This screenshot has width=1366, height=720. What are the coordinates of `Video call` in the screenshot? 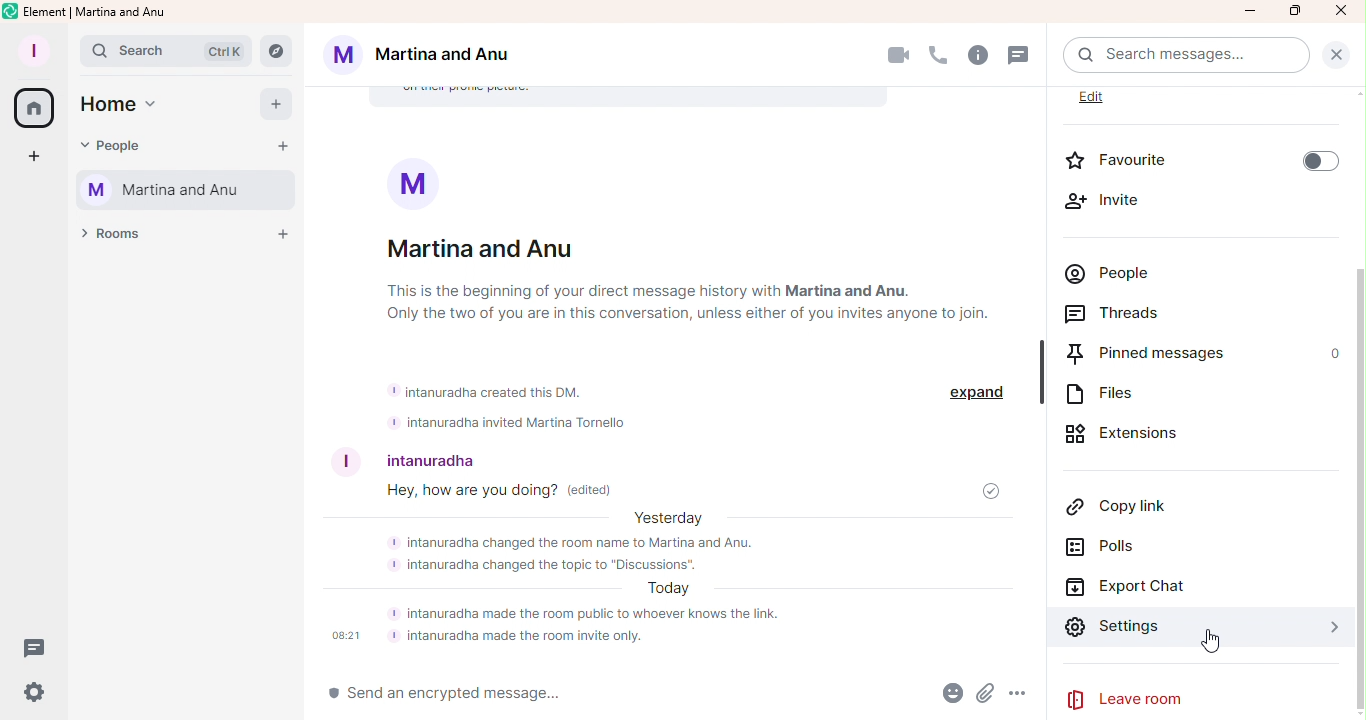 It's located at (897, 55).